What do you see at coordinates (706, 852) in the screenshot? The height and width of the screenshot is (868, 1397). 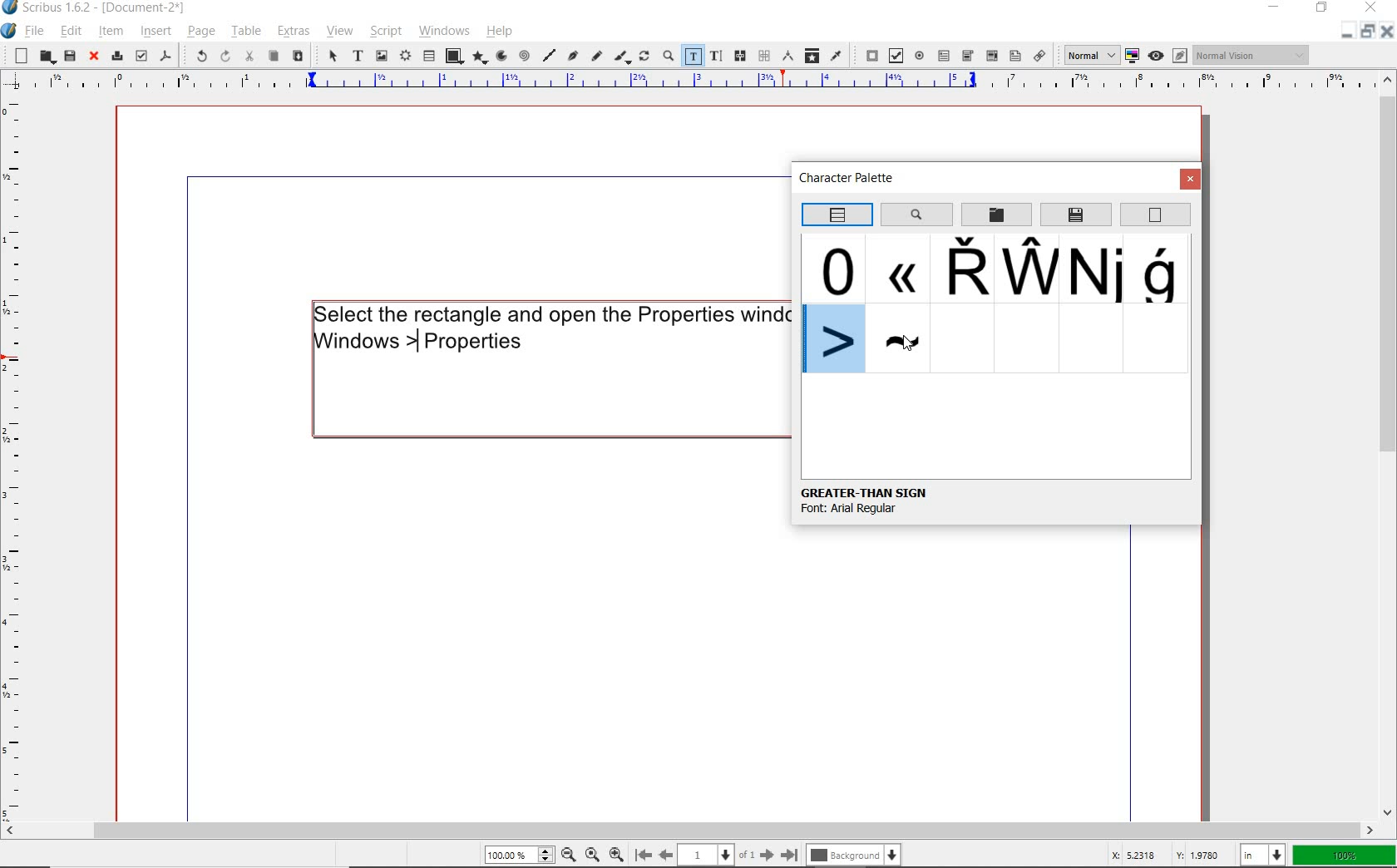 I see `1` at bounding box center [706, 852].